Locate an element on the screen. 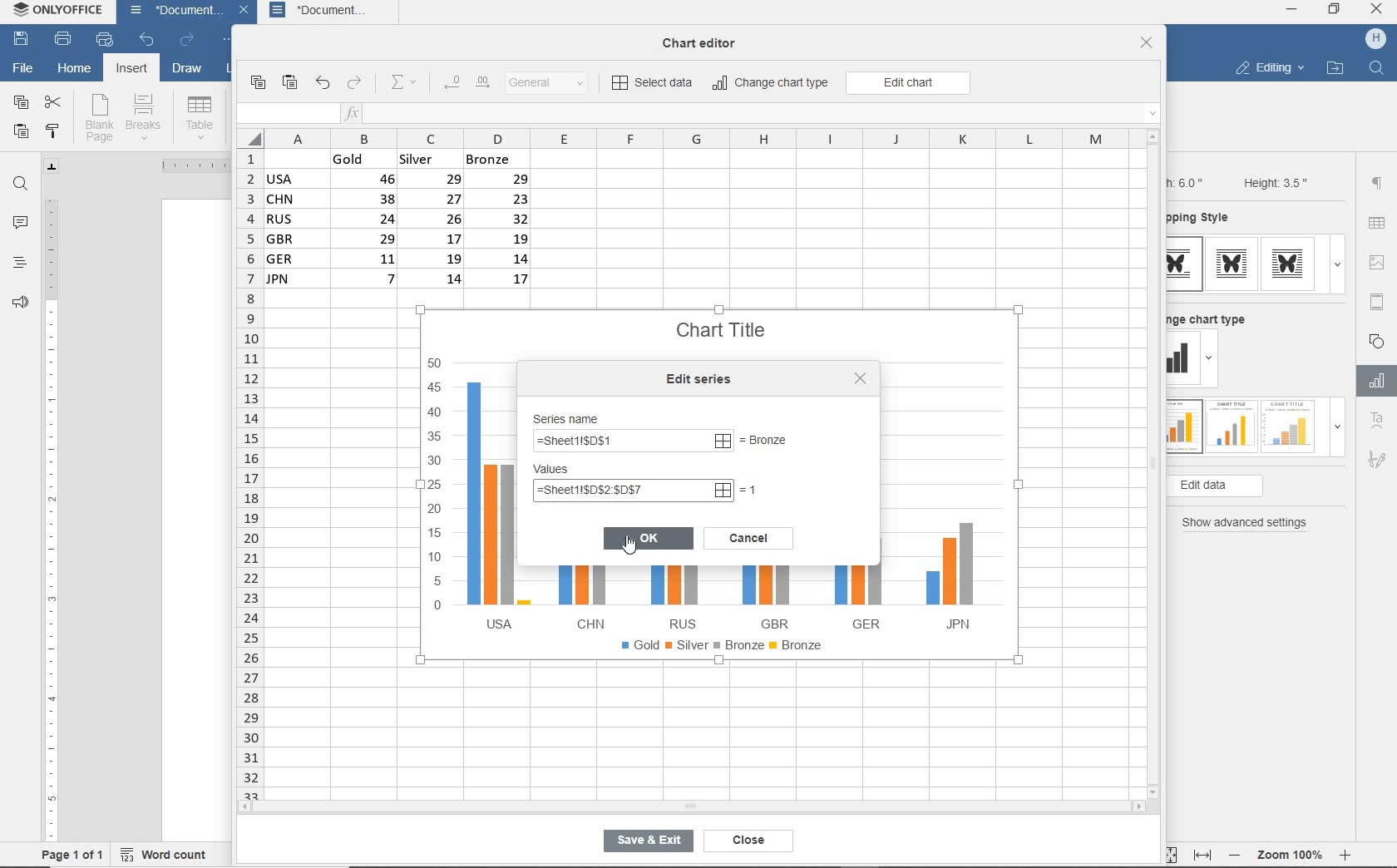  cancel is located at coordinates (748, 536).